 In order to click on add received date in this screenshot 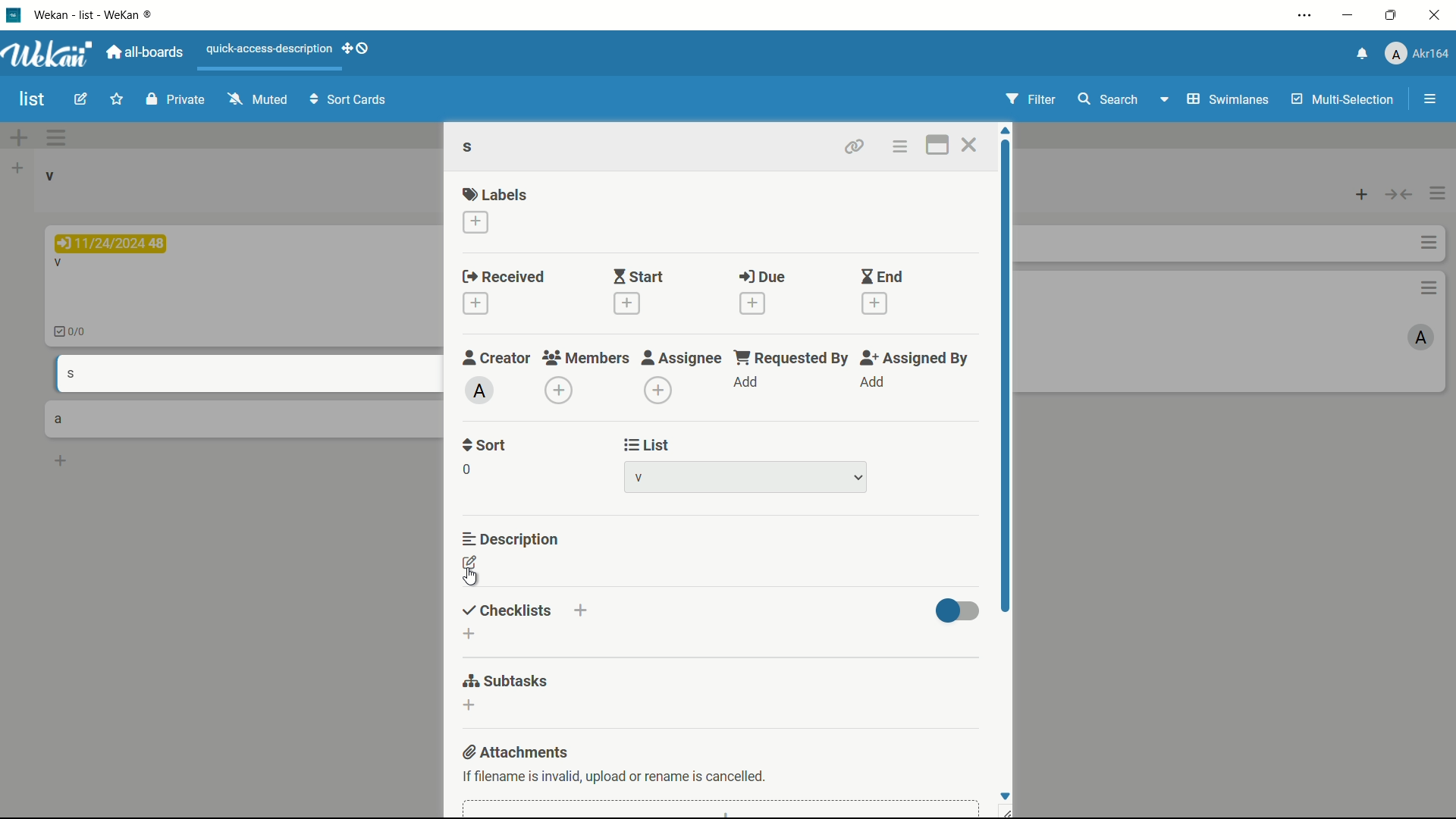, I will do `click(475, 303)`.